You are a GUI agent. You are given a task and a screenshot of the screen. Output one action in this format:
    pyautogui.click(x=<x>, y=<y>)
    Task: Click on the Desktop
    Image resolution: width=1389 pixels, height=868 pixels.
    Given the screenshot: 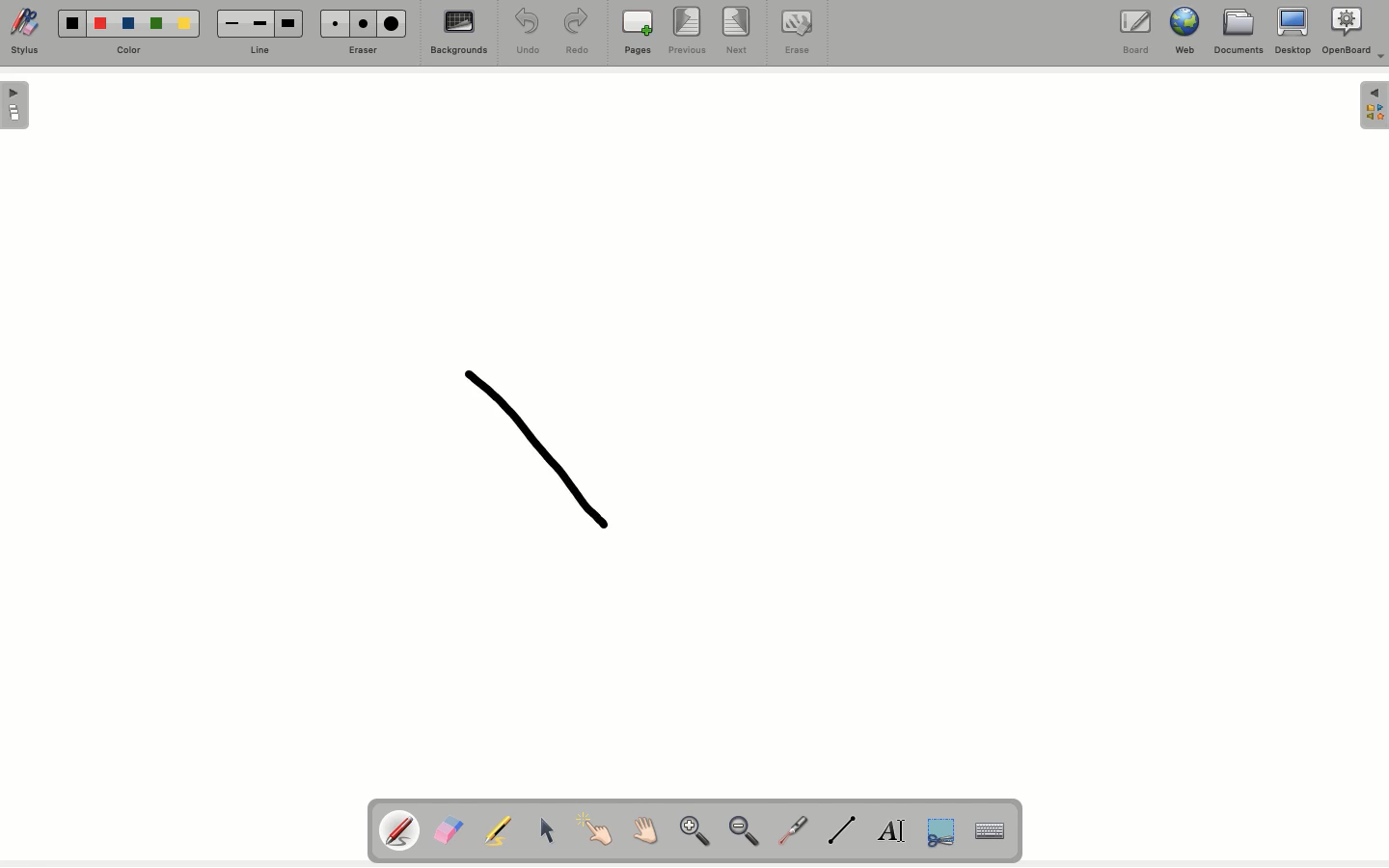 What is the action you would take?
    pyautogui.click(x=1292, y=33)
    